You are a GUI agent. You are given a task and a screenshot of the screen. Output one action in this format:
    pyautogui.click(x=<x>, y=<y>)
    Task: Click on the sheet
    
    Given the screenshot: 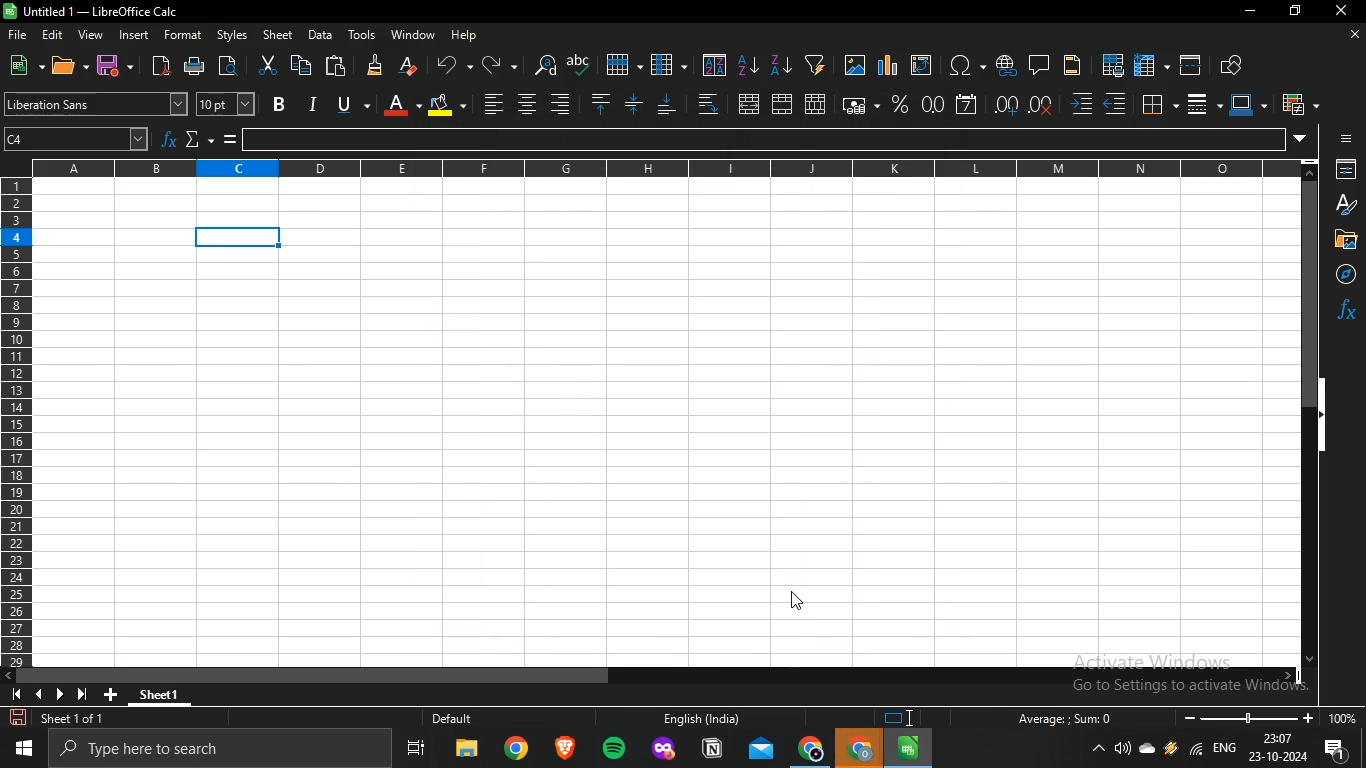 What is the action you would take?
    pyautogui.click(x=279, y=35)
    